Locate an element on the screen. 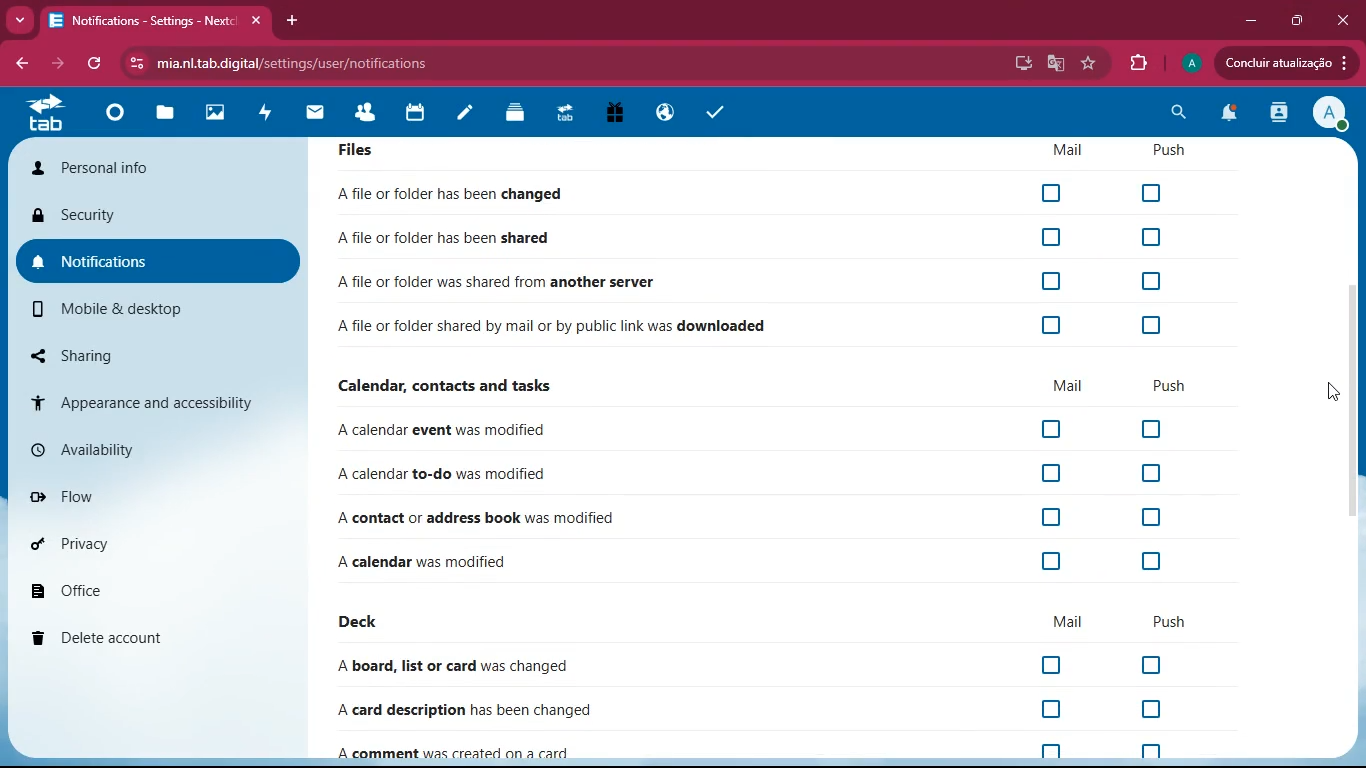 The image size is (1366, 768). event is located at coordinates (543, 430).